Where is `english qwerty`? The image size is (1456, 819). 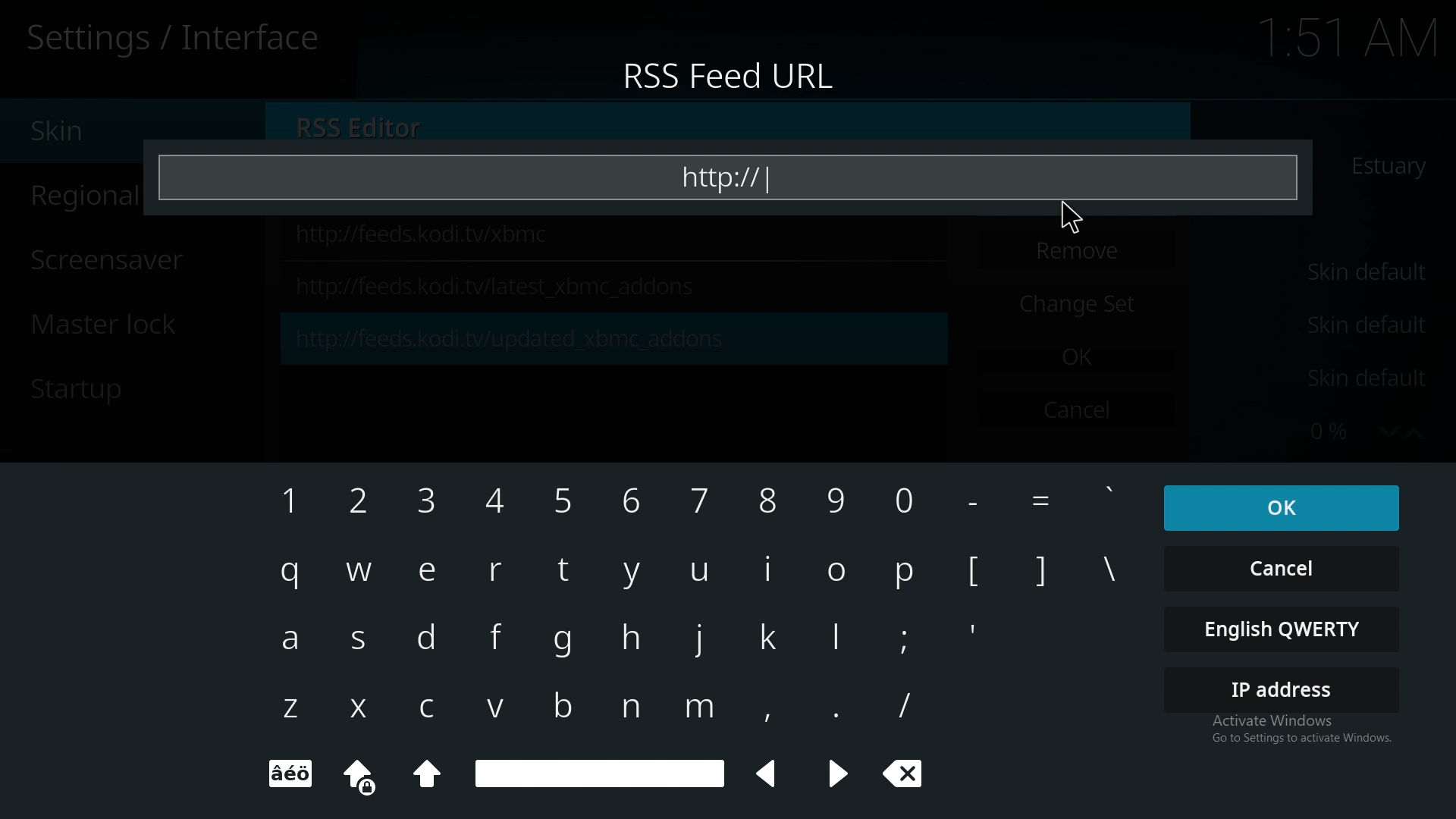 english qwerty is located at coordinates (1283, 634).